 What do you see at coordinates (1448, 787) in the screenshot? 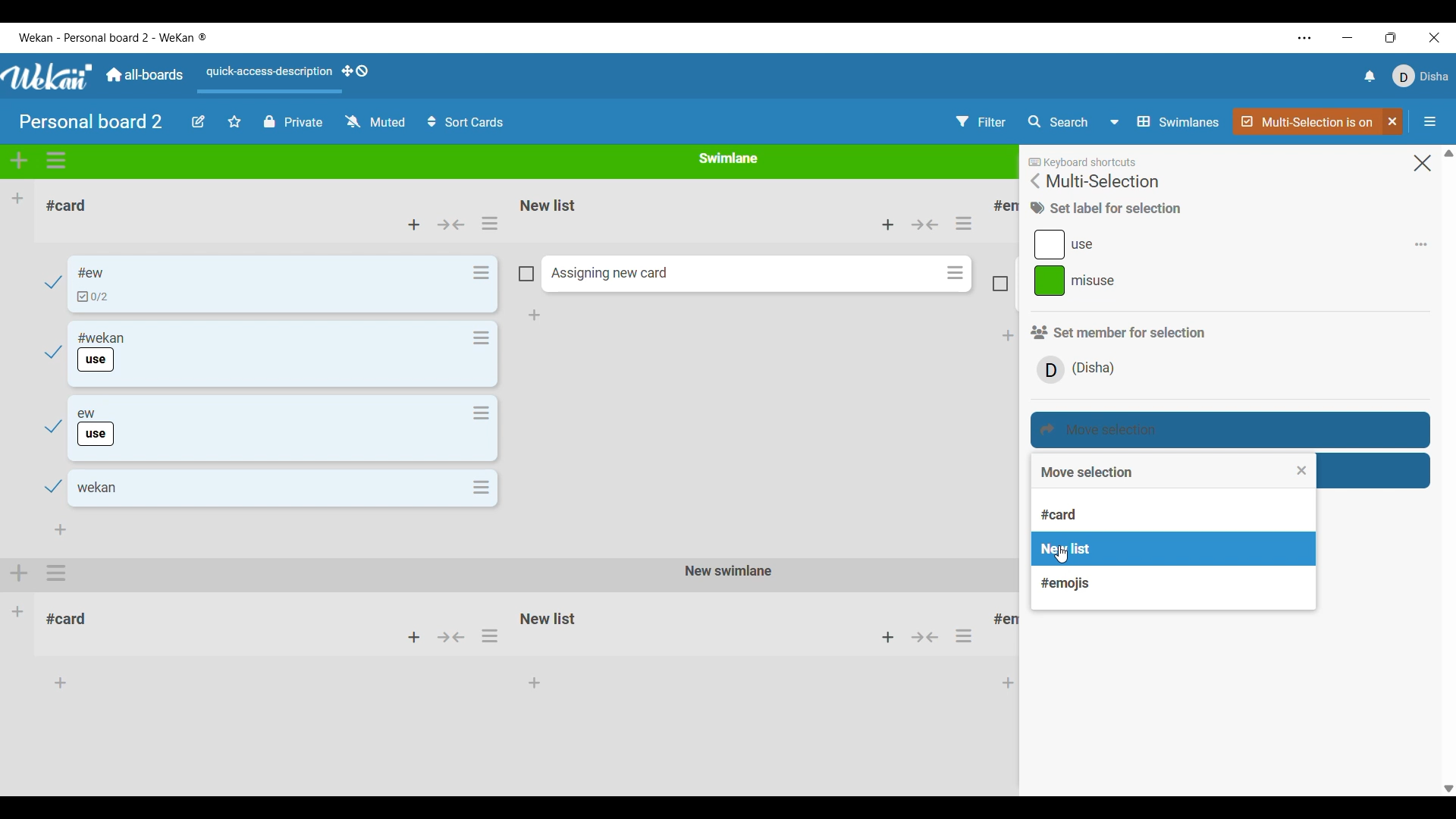
I see `quick side button` at bounding box center [1448, 787].